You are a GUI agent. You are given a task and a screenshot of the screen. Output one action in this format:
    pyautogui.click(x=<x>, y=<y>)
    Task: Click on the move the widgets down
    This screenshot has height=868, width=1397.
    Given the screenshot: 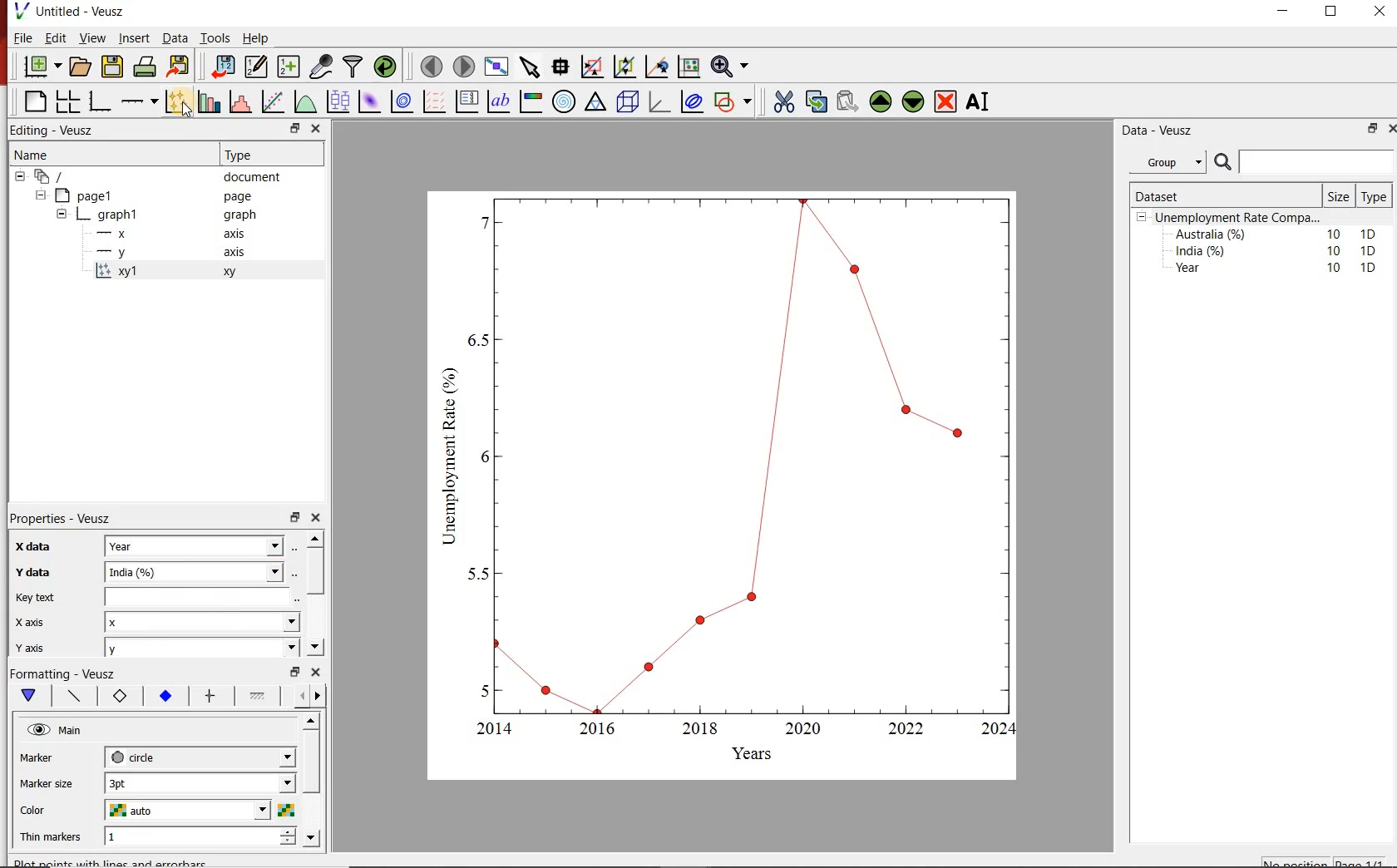 What is the action you would take?
    pyautogui.click(x=911, y=101)
    